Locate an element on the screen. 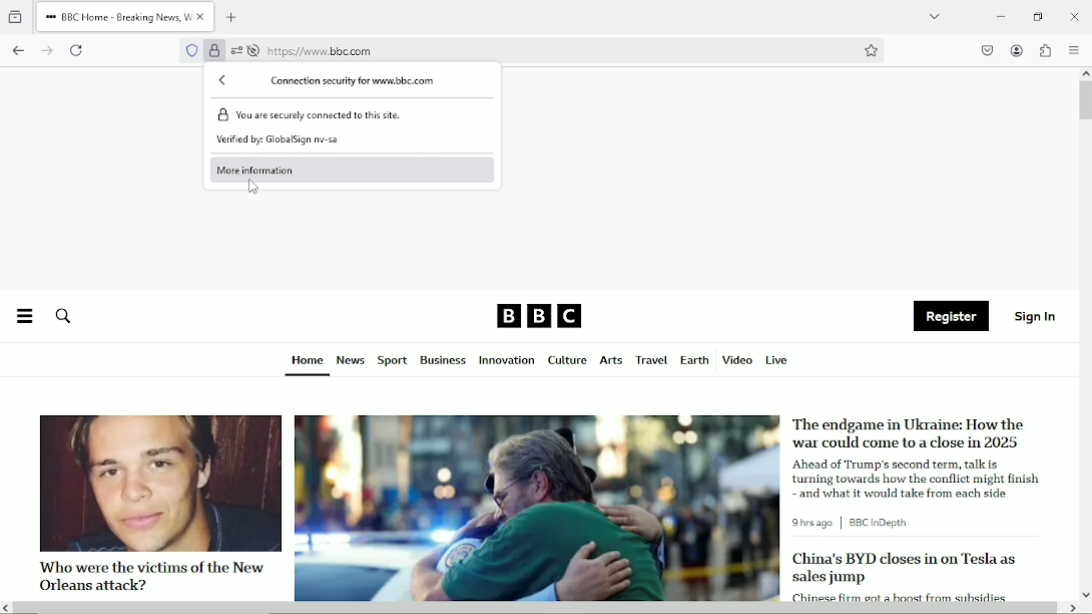 The image size is (1092, 614). Vertical scrollbar is located at coordinates (1085, 101).